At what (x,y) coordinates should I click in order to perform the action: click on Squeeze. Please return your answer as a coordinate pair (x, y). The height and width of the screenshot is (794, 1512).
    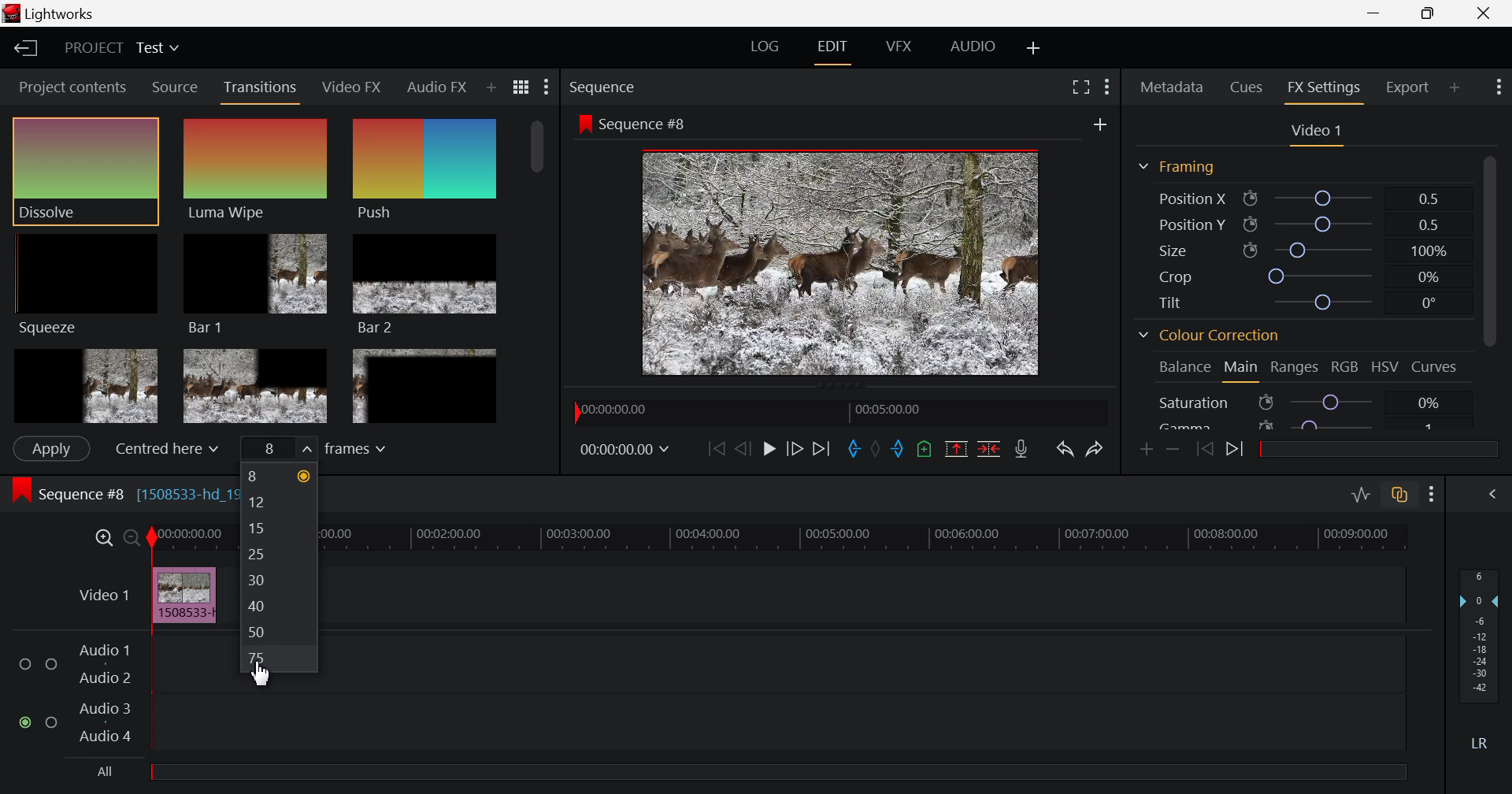
    Looking at the image, I should click on (86, 284).